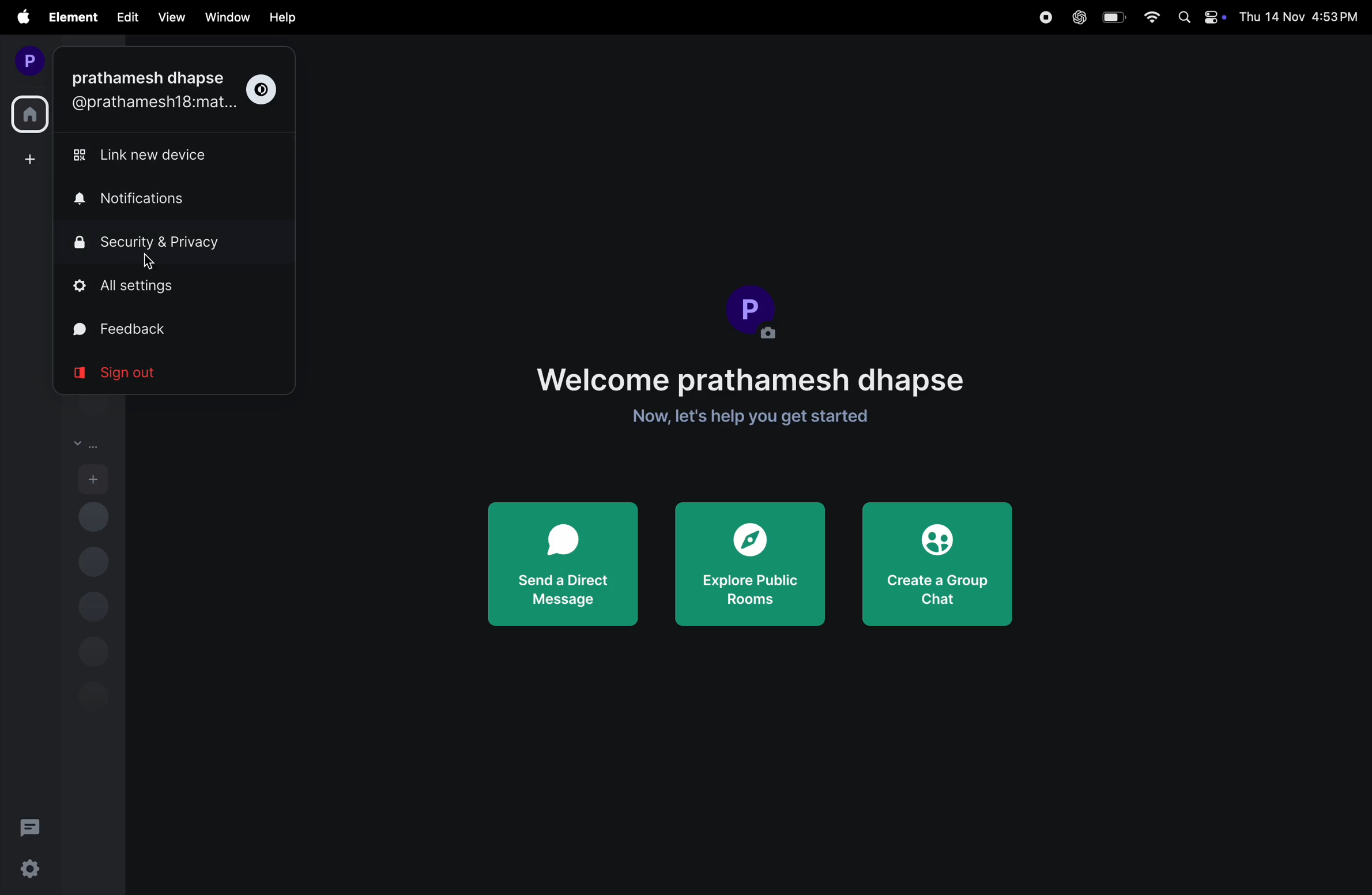  Describe the element at coordinates (169, 288) in the screenshot. I see `all settings` at that location.